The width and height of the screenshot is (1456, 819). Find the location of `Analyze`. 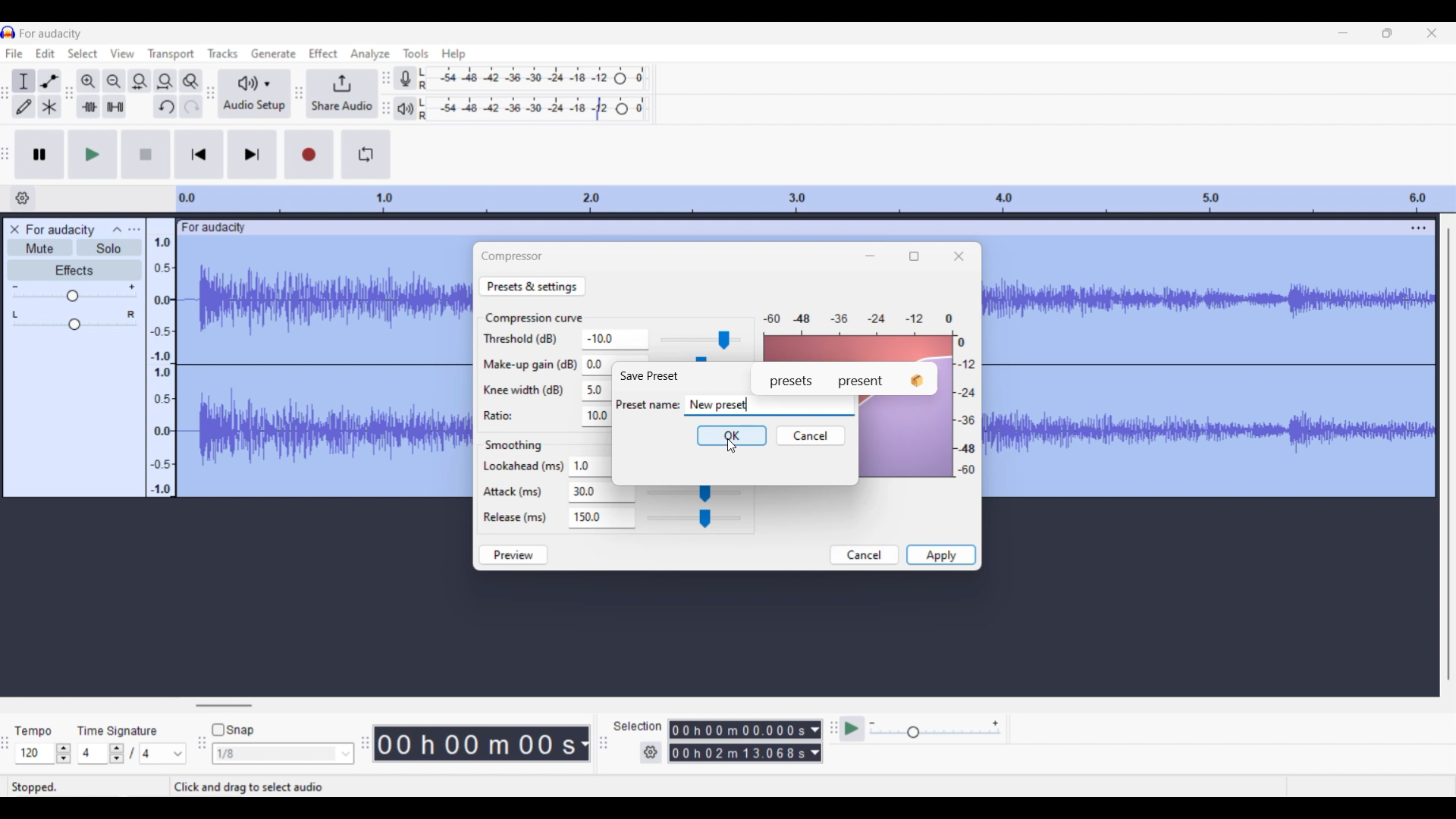

Analyze is located at coordinates (369, 54).